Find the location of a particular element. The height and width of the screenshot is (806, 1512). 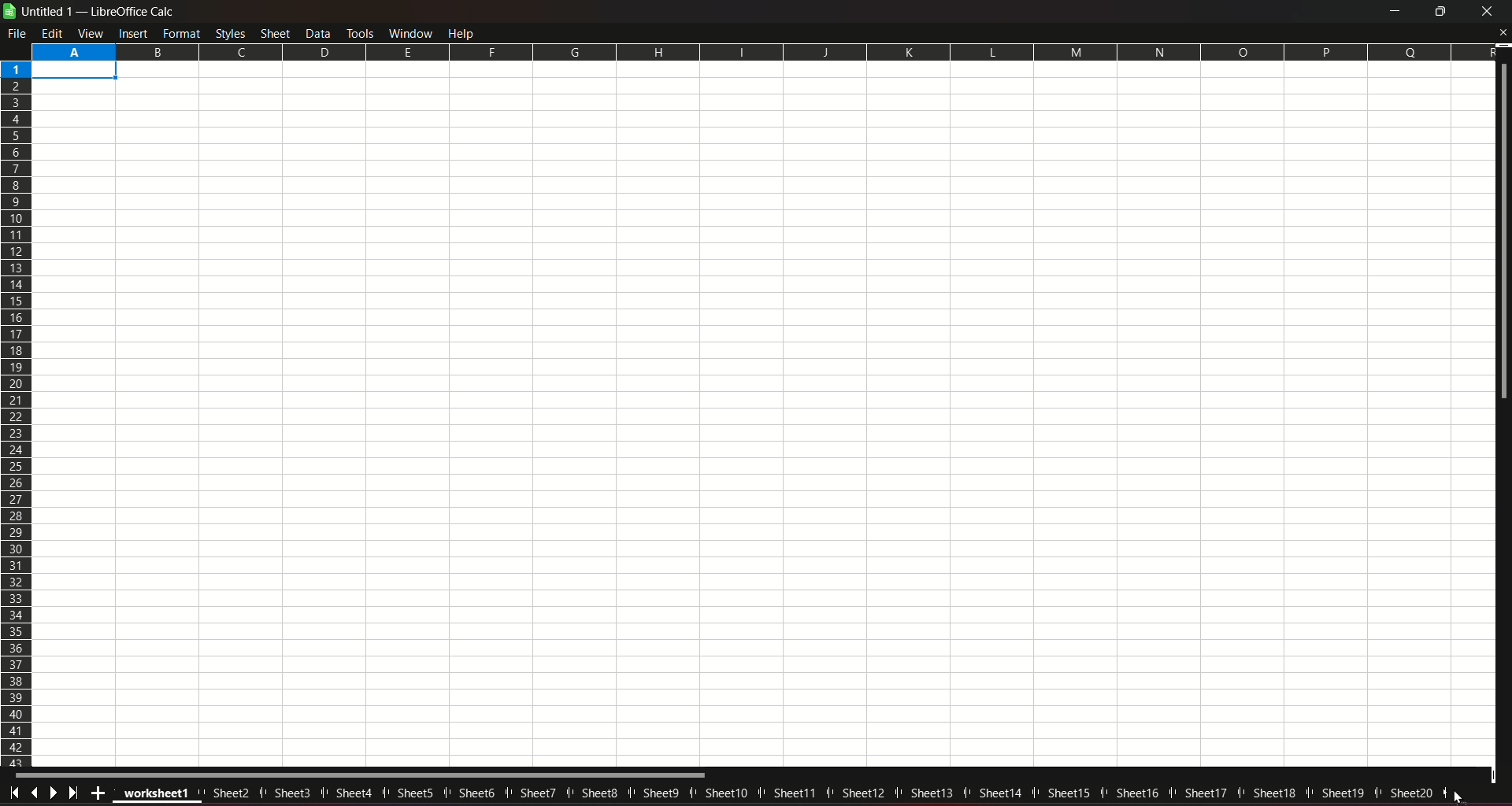

Rows is located at coordinates (17, 412).